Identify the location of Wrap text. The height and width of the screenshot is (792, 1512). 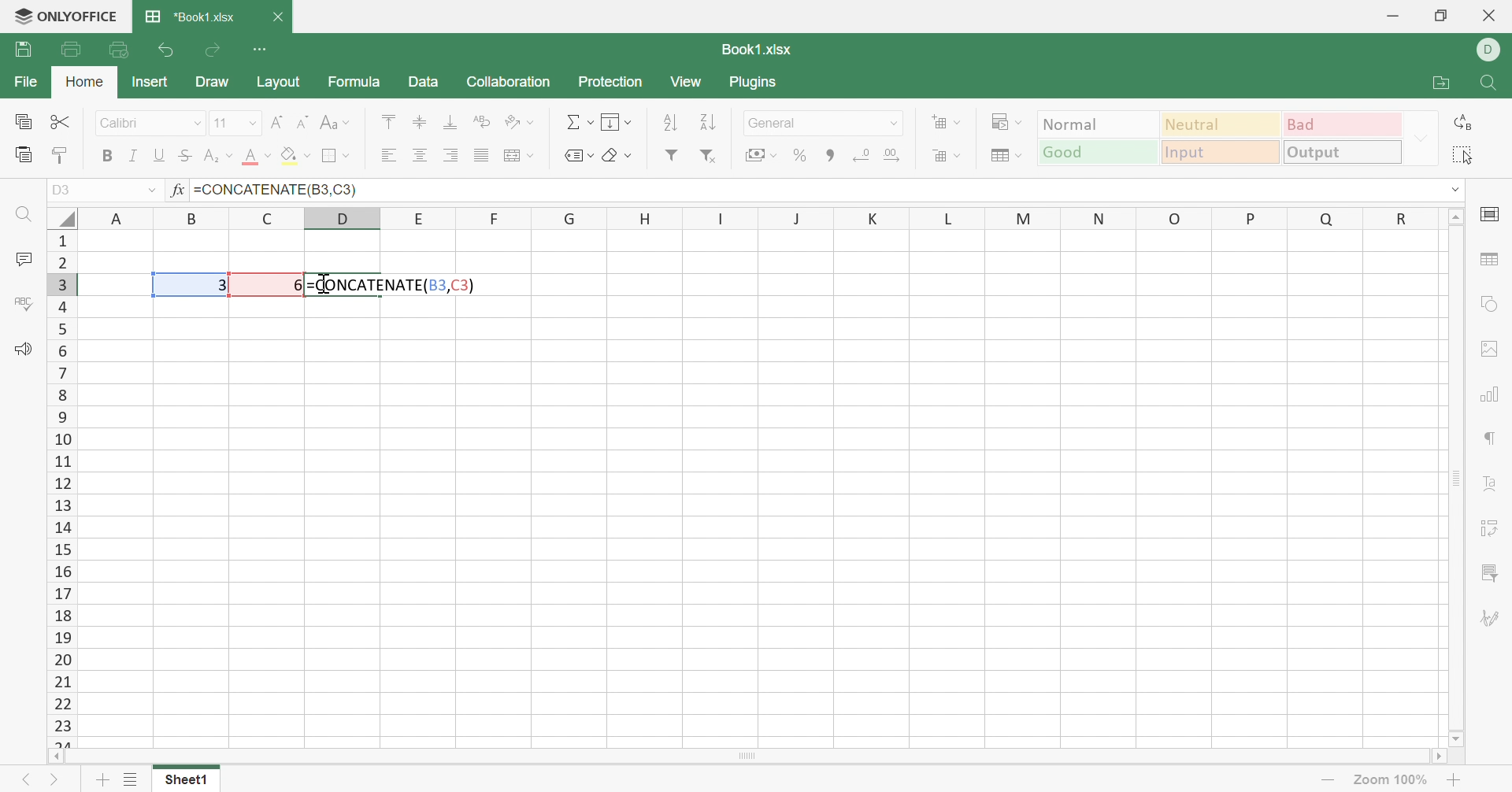
(478, 122).